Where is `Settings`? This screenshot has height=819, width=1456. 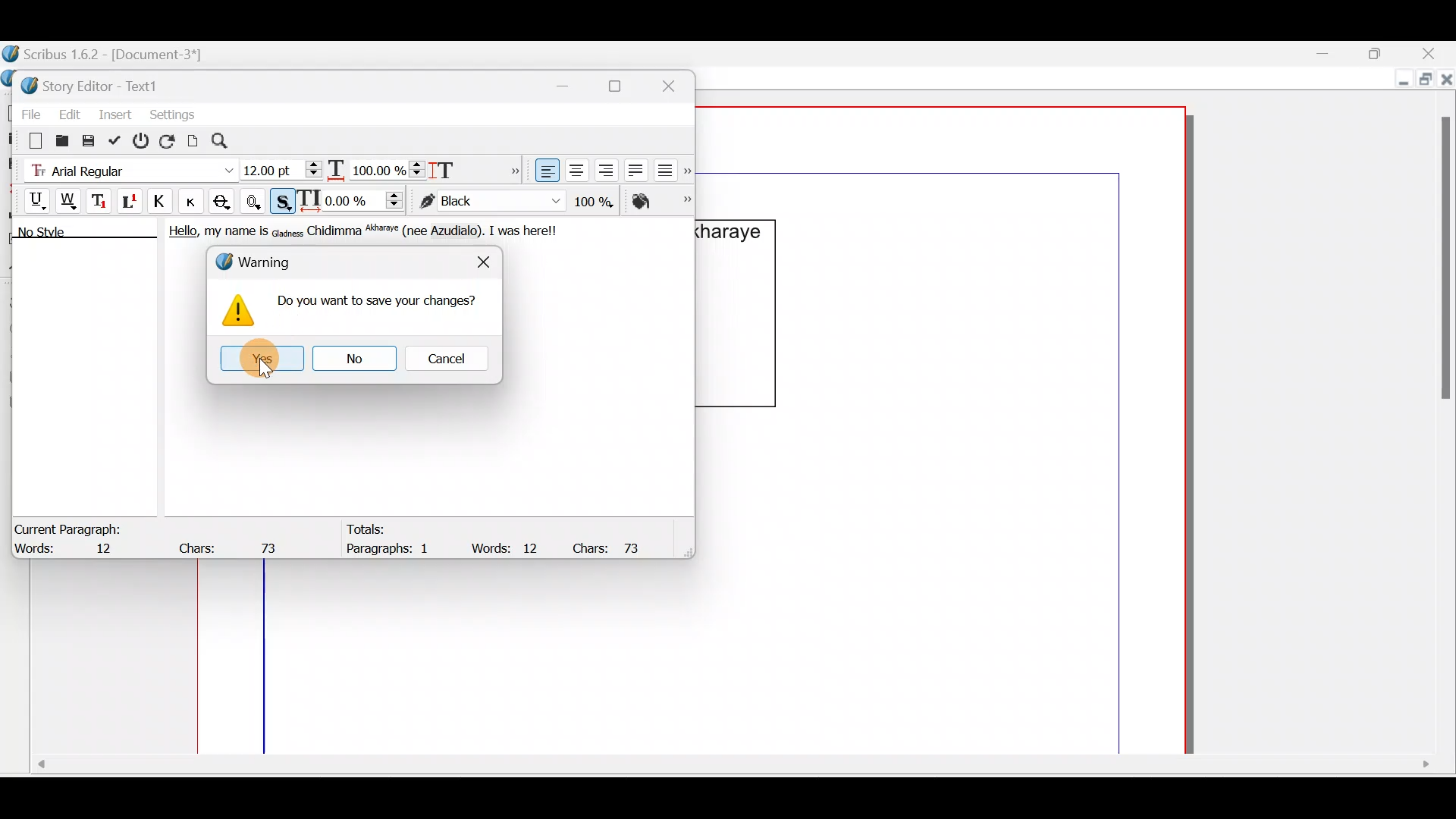
Settings is located at coordinates (172, 113).